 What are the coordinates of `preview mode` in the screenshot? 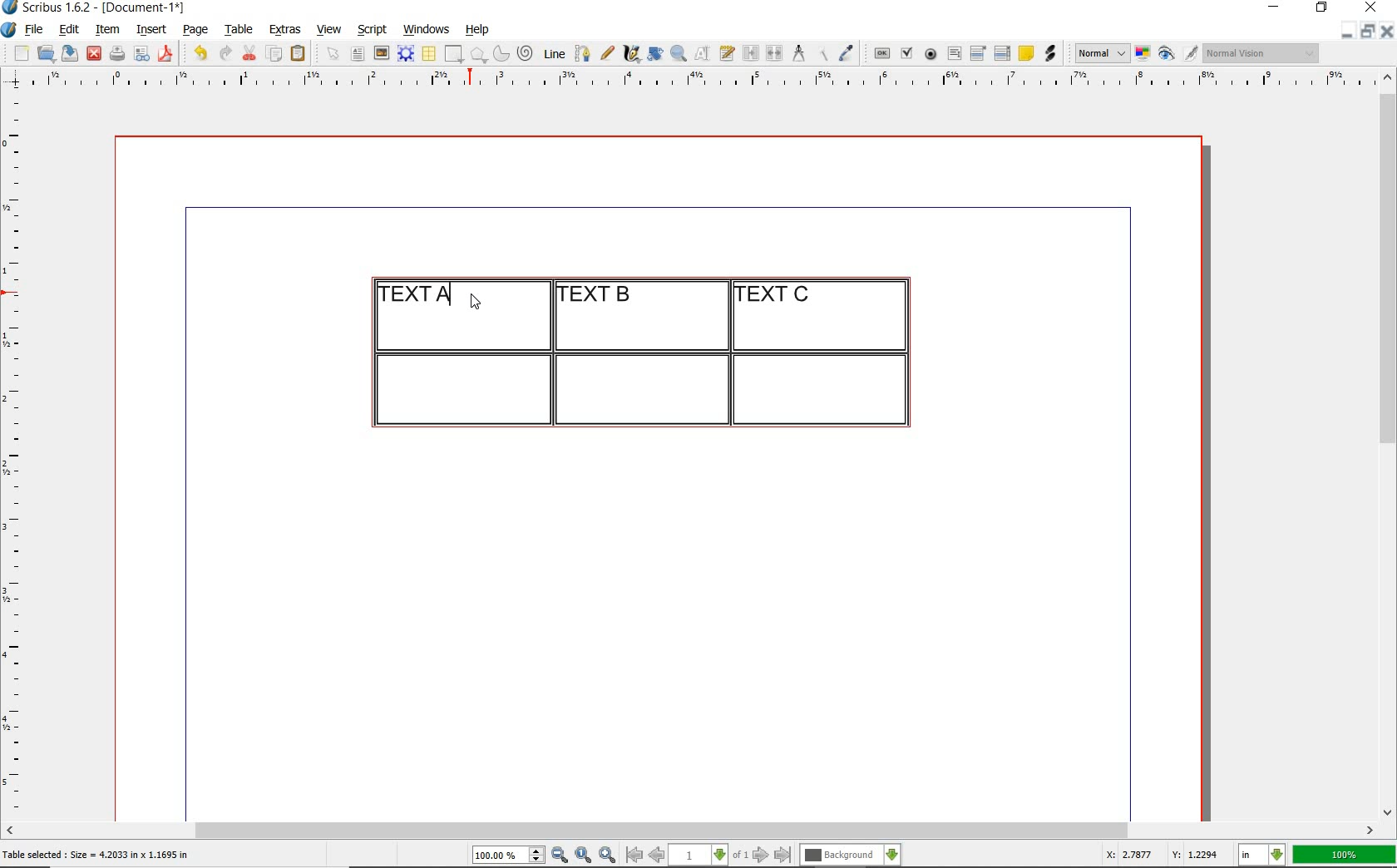 It's located at (1178, 54).